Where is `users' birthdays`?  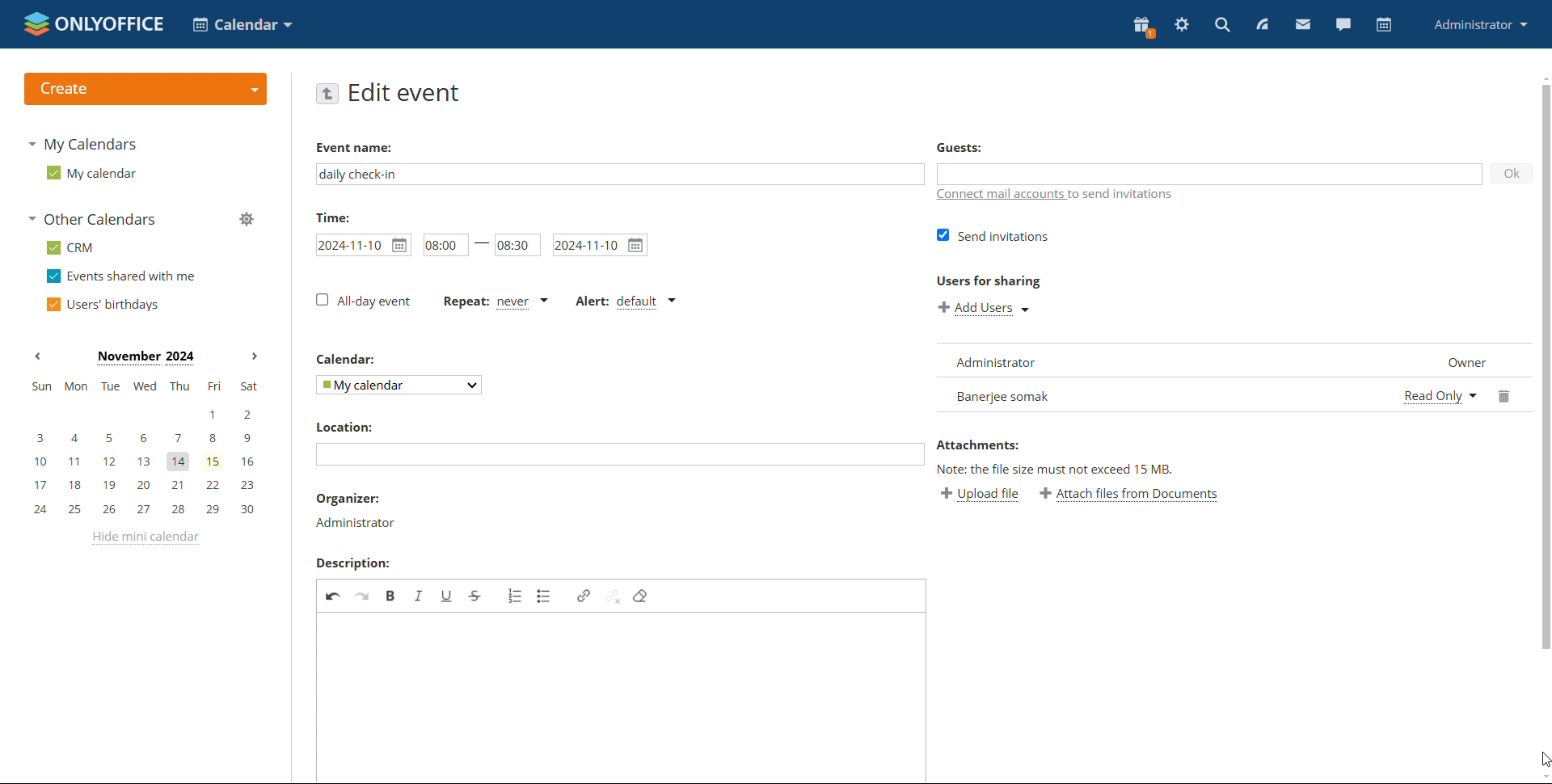
users' birthdays is located at coordinates (102, 304).